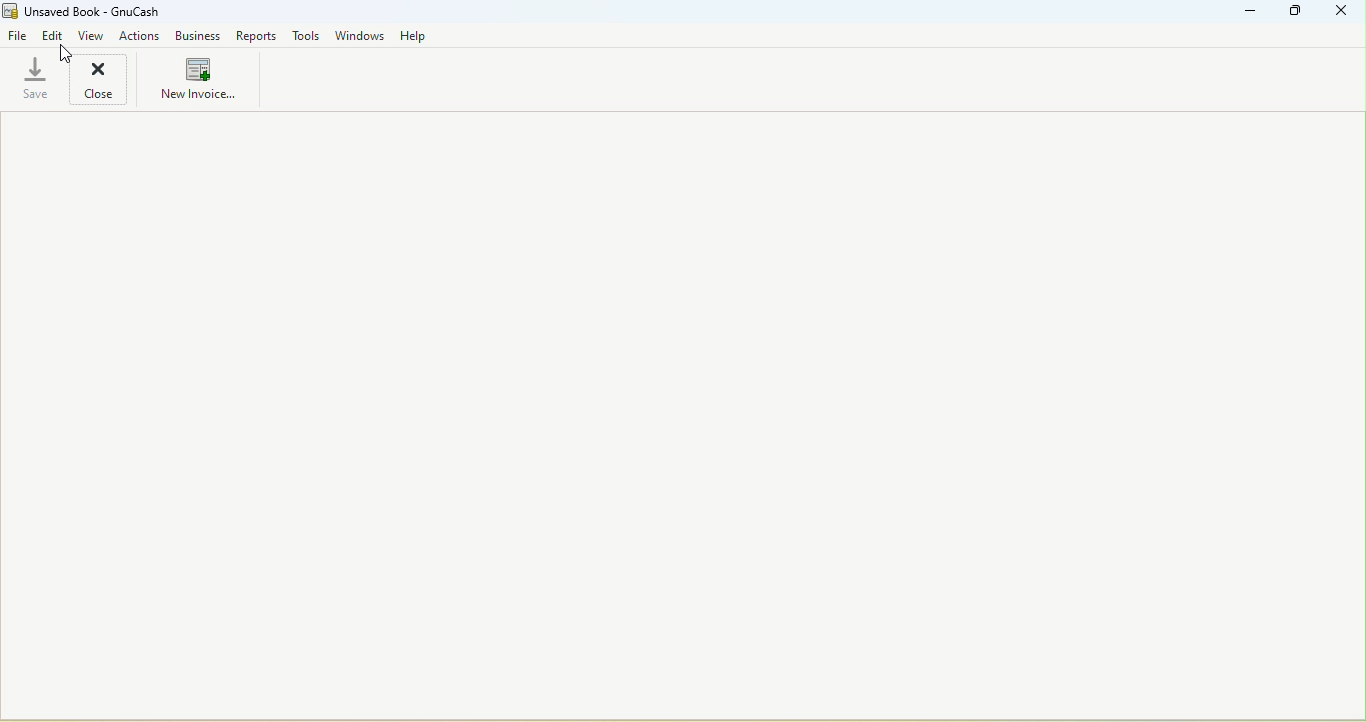 The height and width of the screenshot is (722, 1366). I want to click on File, so click(17, 37).